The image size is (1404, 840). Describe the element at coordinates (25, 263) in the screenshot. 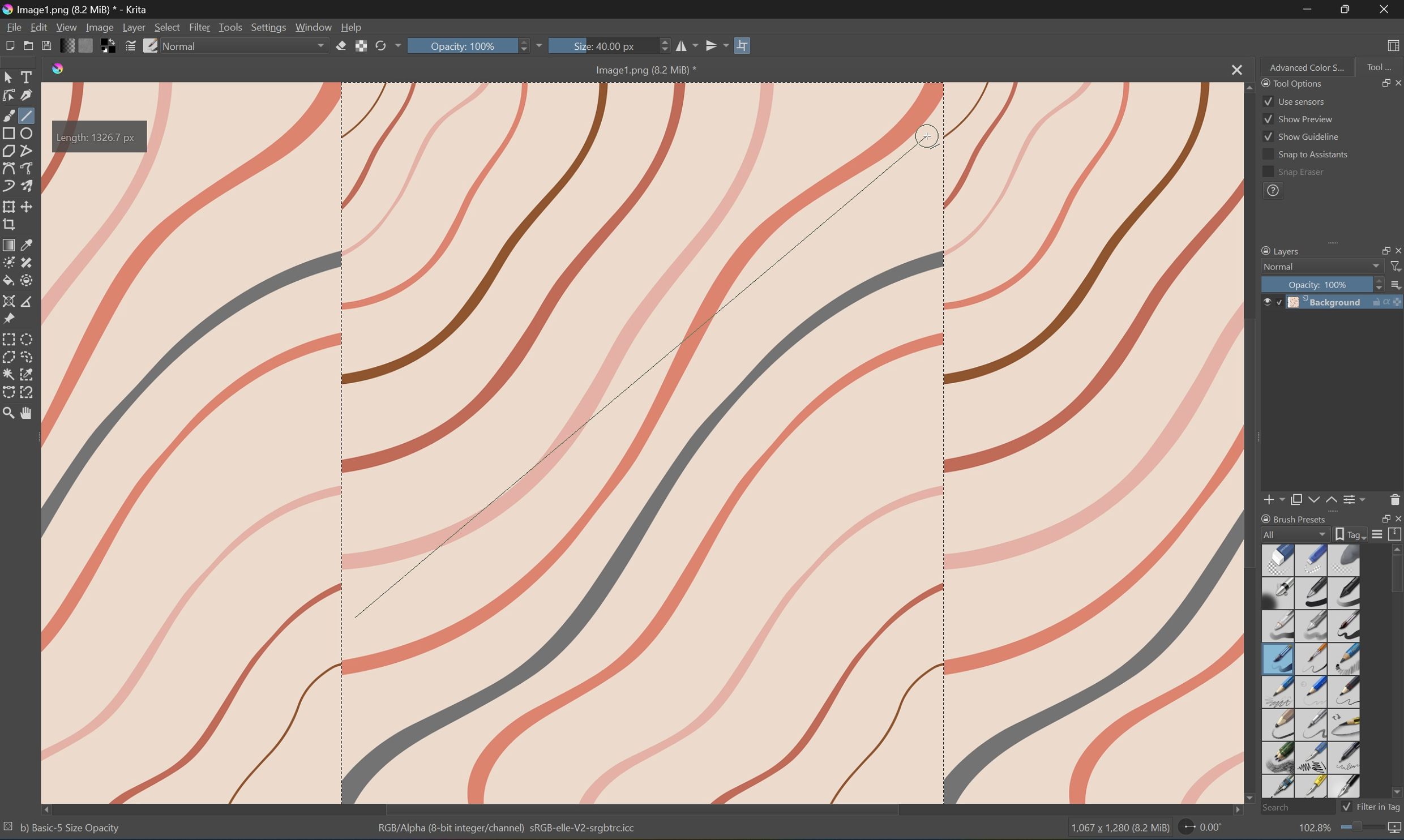

I see `Draw patch tool` at that location.